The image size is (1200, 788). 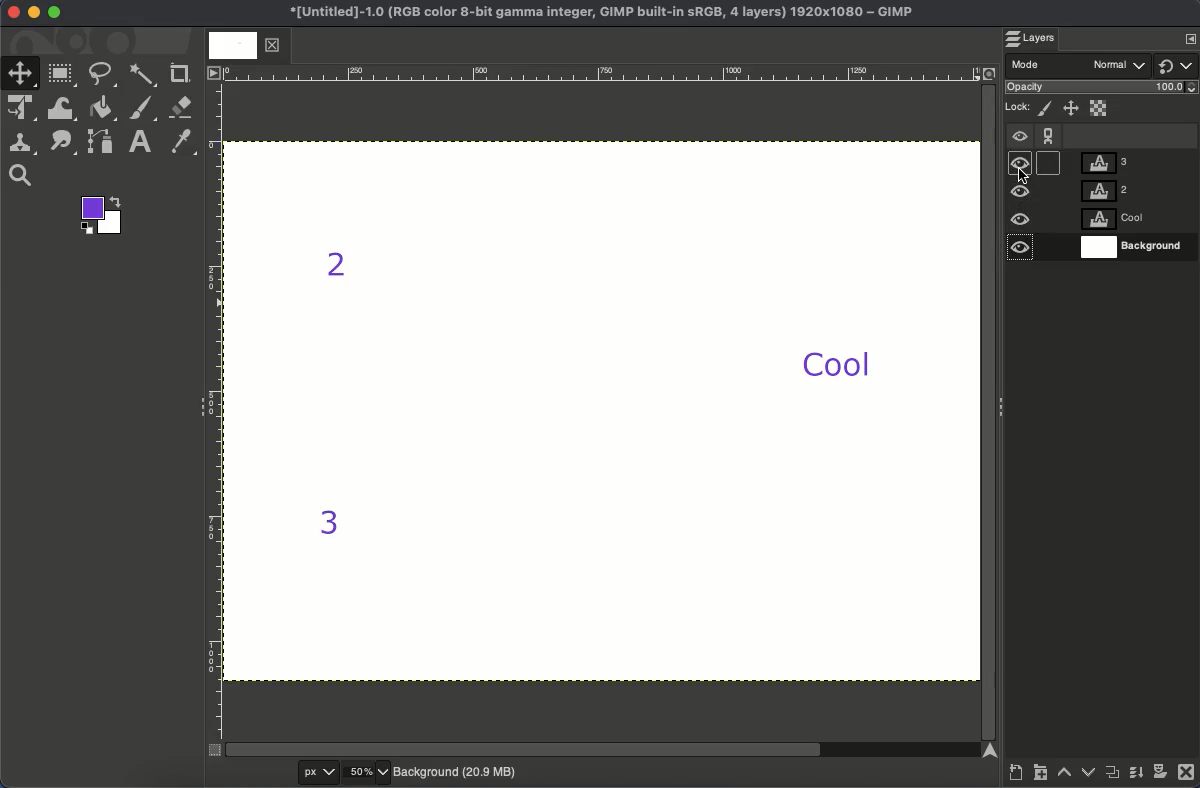 What do you see at coordinates (1160, 775) in the screenshot?
I see `Add a mask` at bounding box center [1160, 775].